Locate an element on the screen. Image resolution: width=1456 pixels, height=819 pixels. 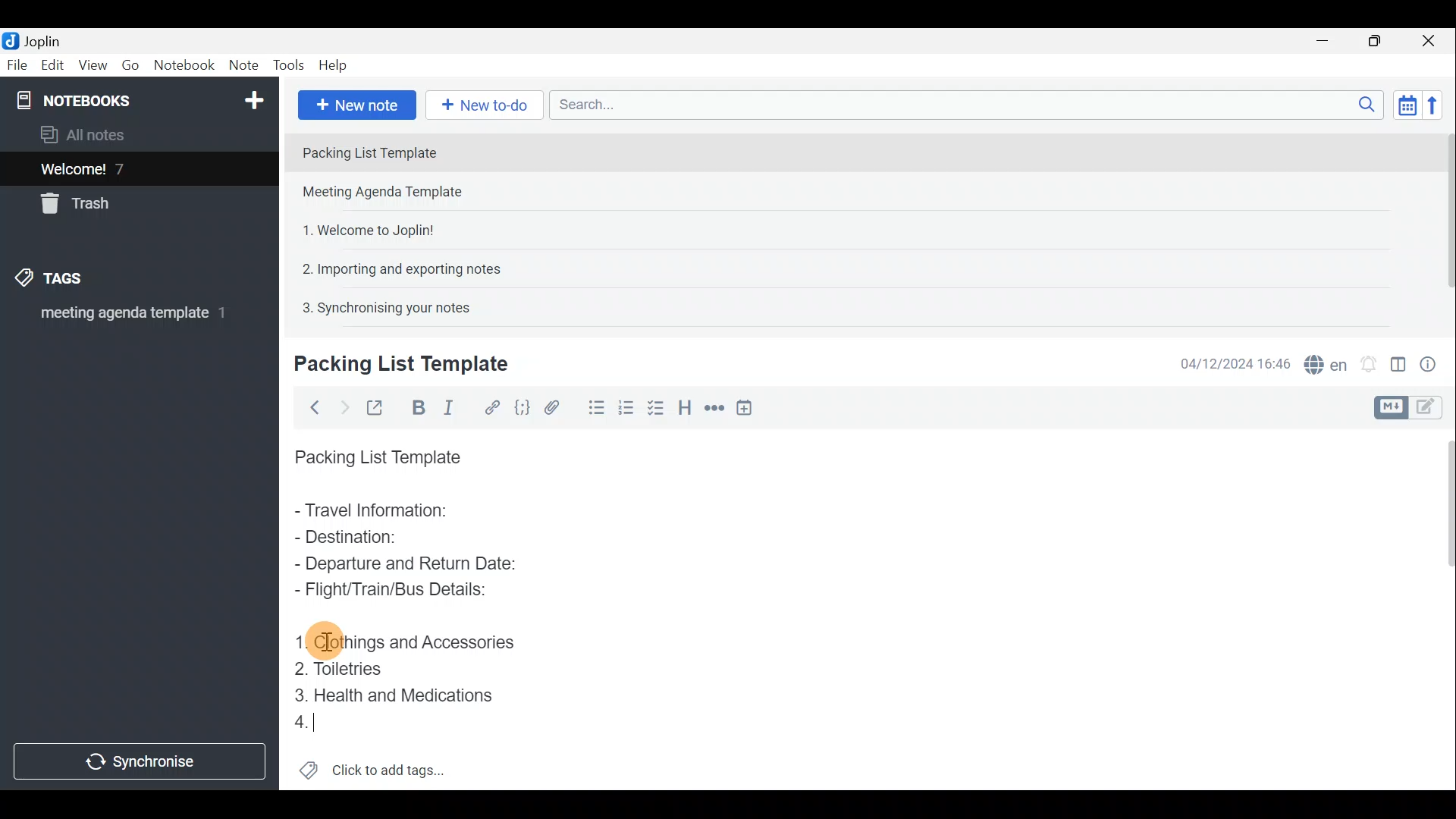
Back is located at coordinates (312, 407).